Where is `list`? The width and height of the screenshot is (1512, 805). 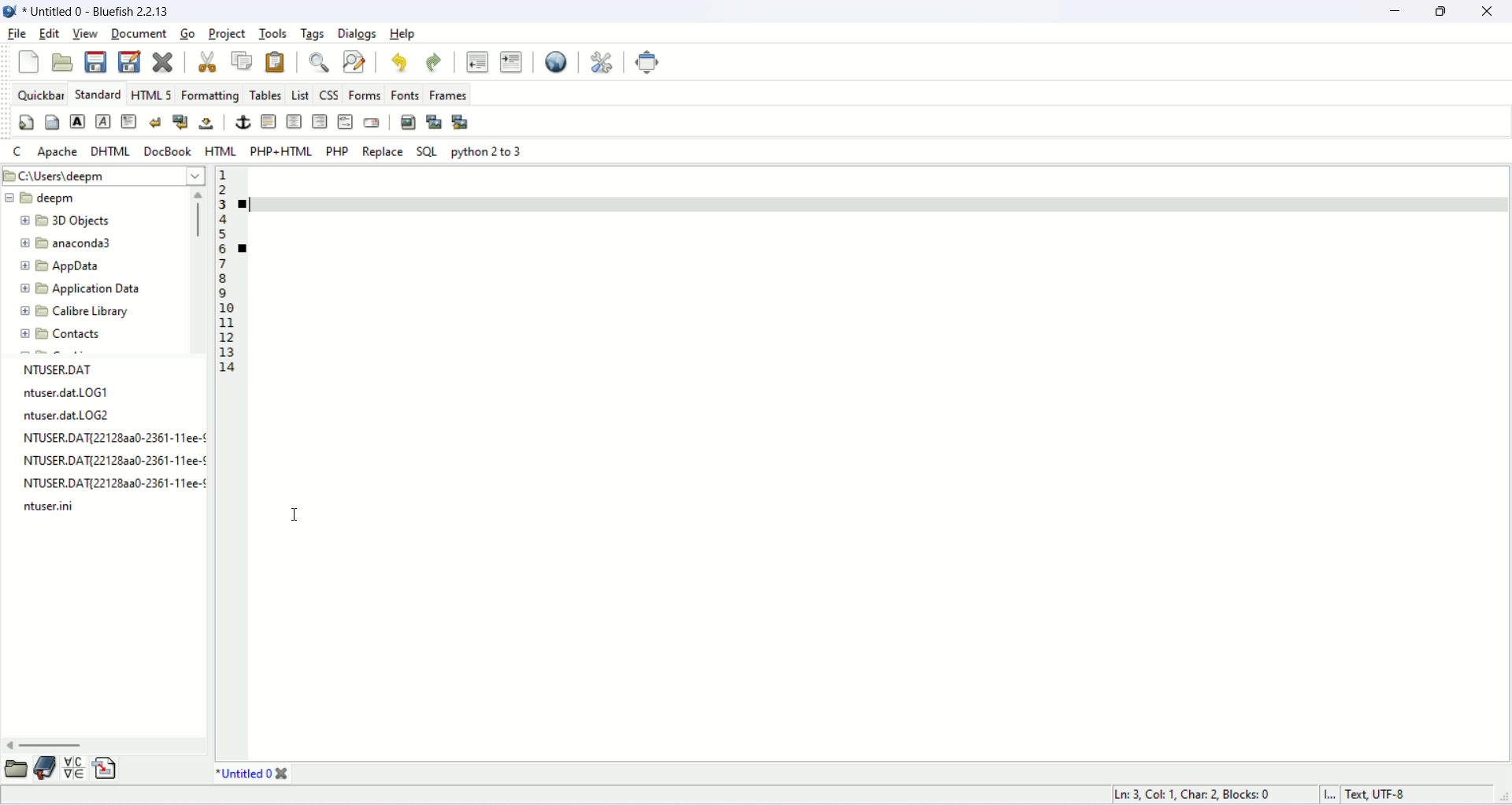
list is located at coordinates (299, 95).